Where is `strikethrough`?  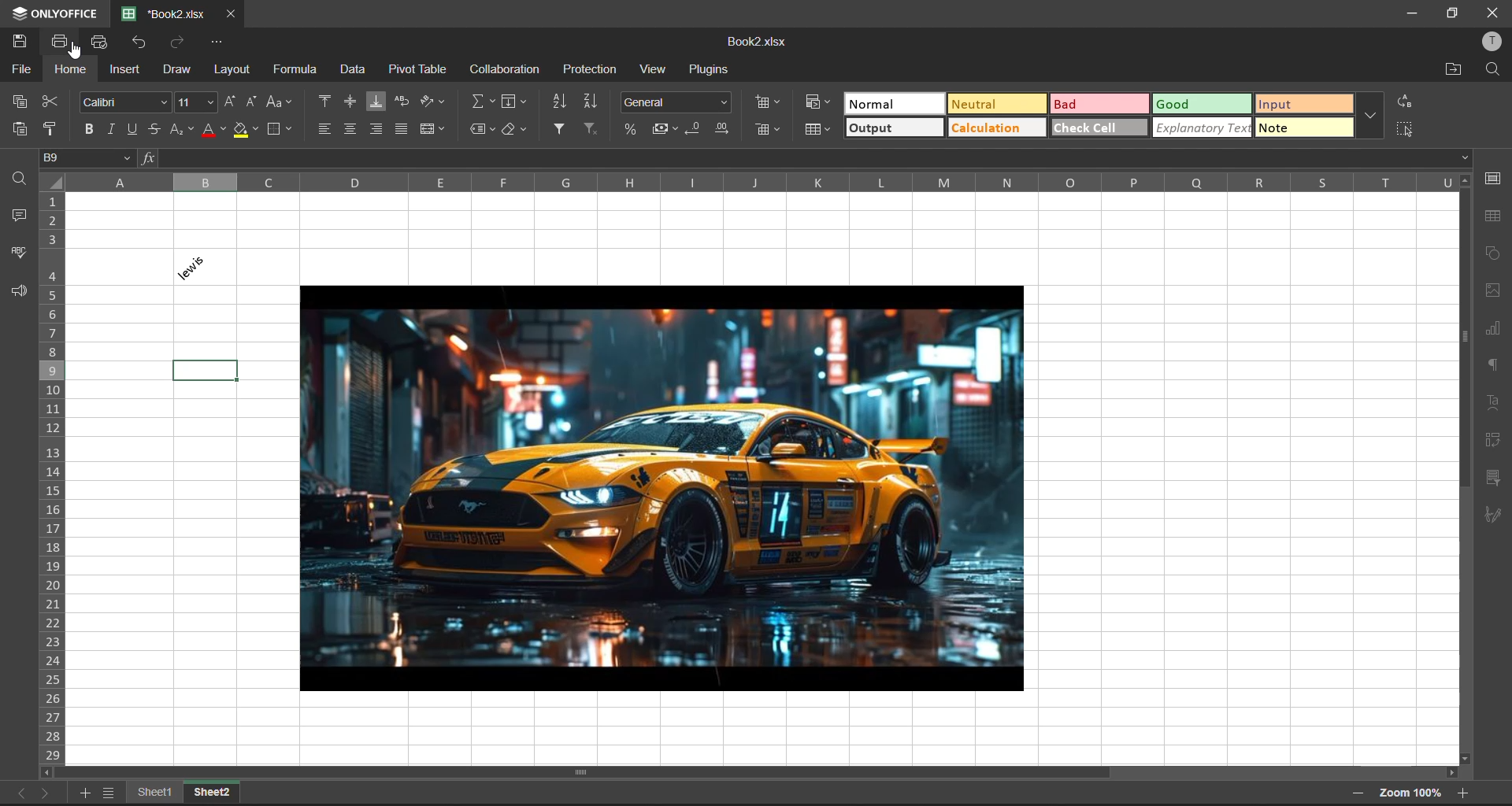
strikethrough is located at coordinates (150, 130).